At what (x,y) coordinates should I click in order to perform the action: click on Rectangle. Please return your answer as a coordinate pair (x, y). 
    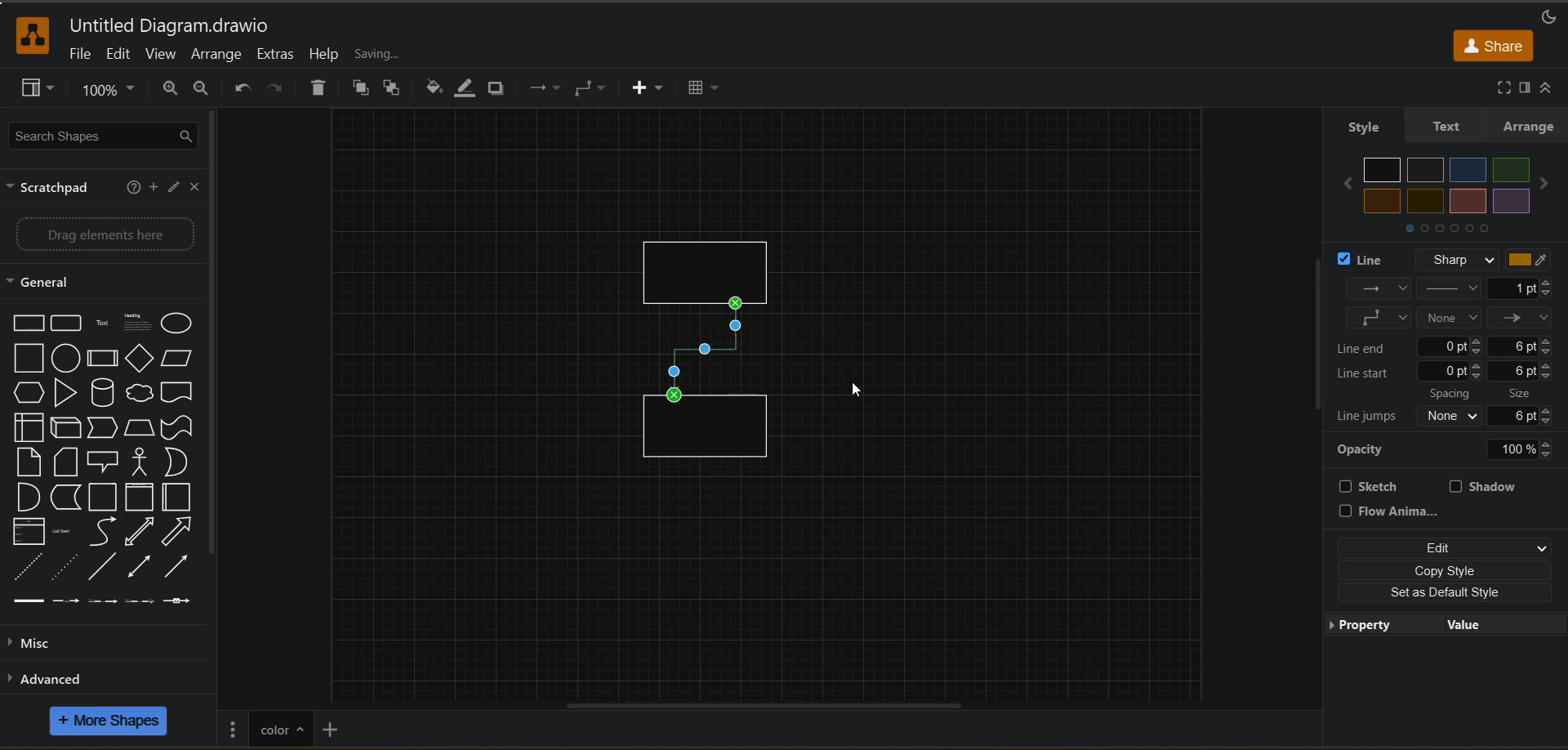
    Looking at the image, I should click on (25, 323).